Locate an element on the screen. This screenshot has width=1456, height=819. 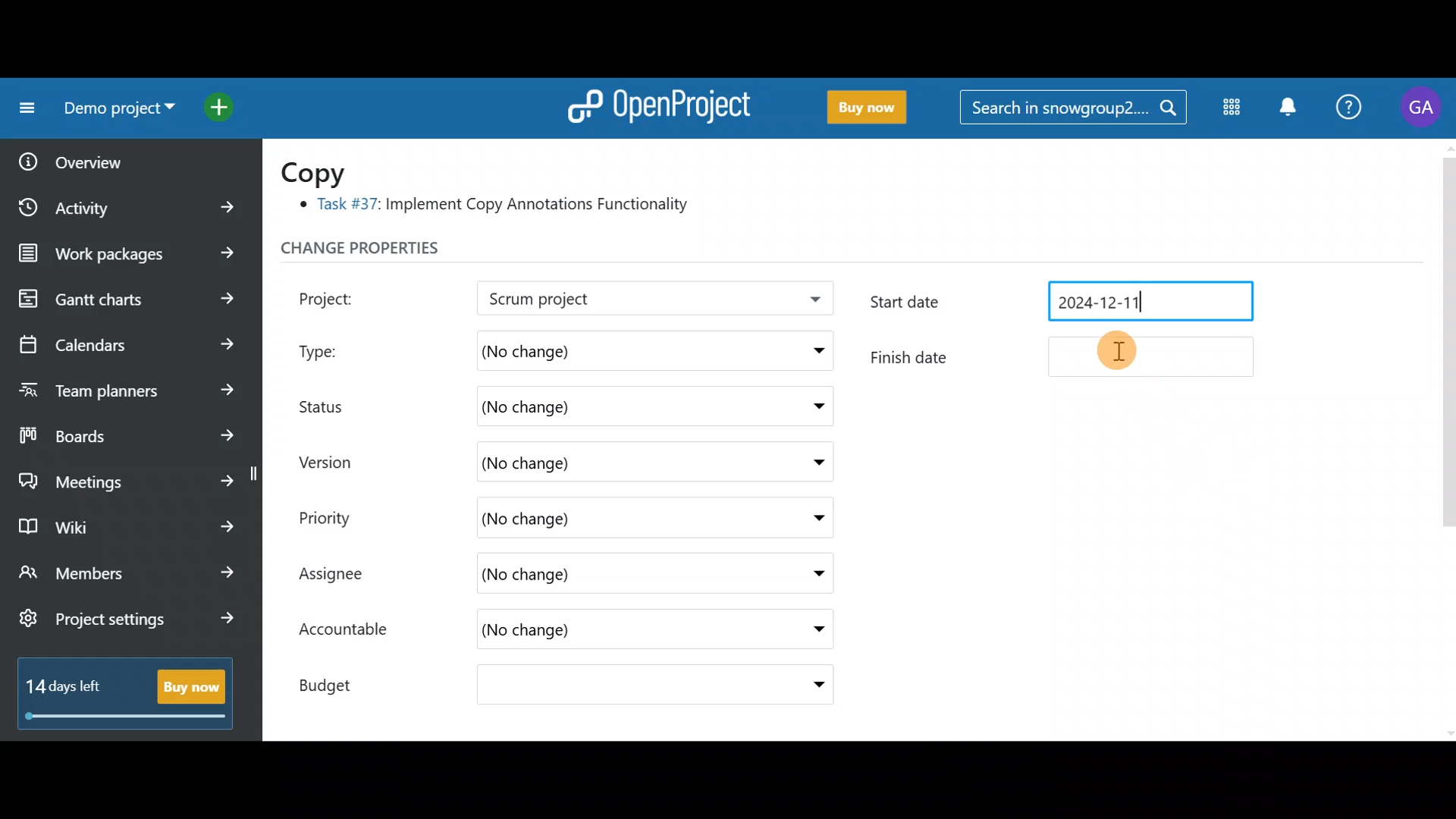
Change properties is located at coordinates (391, 252).